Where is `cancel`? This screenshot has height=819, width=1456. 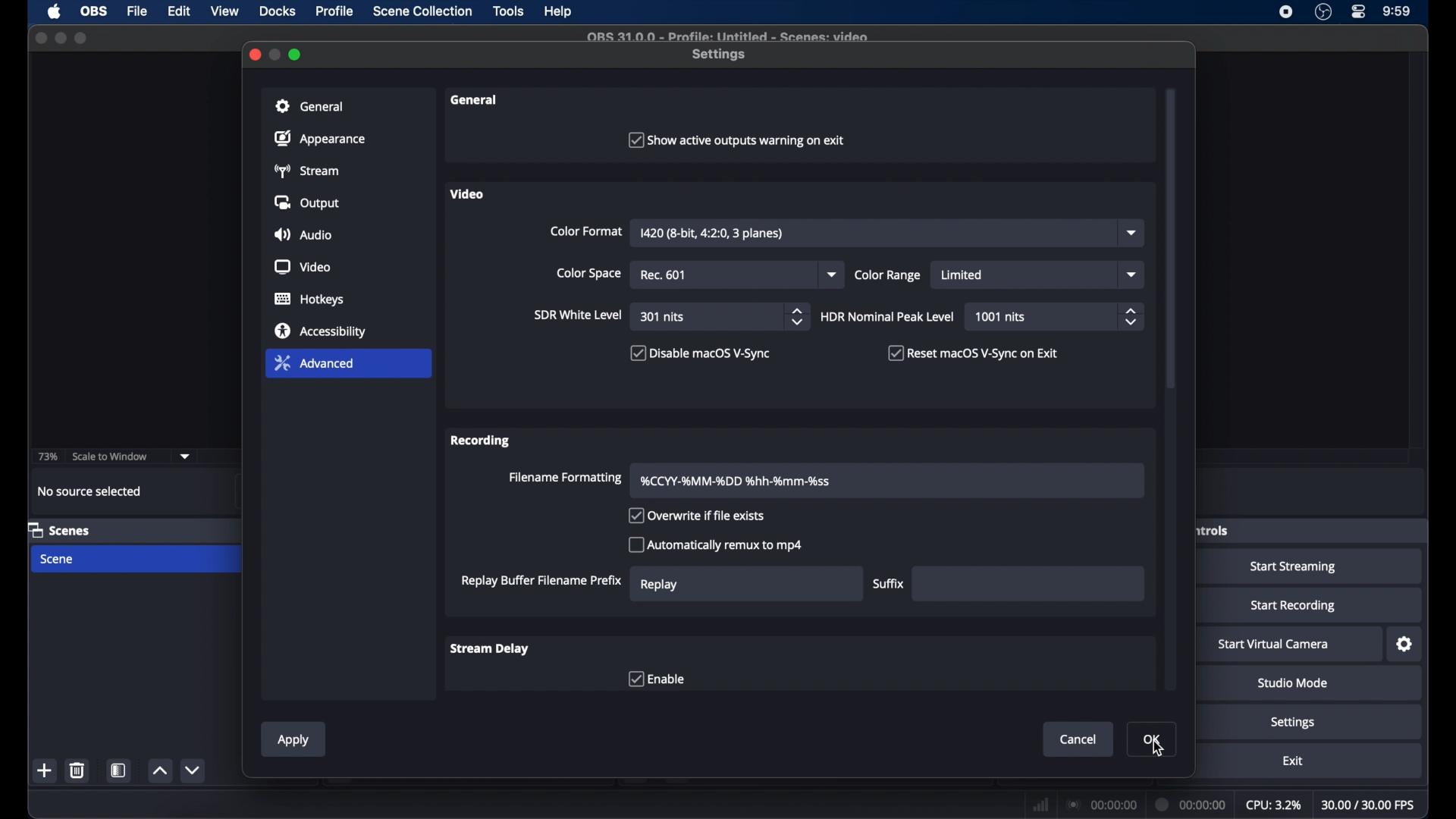
cancel is located at coordinates (1078, 739).